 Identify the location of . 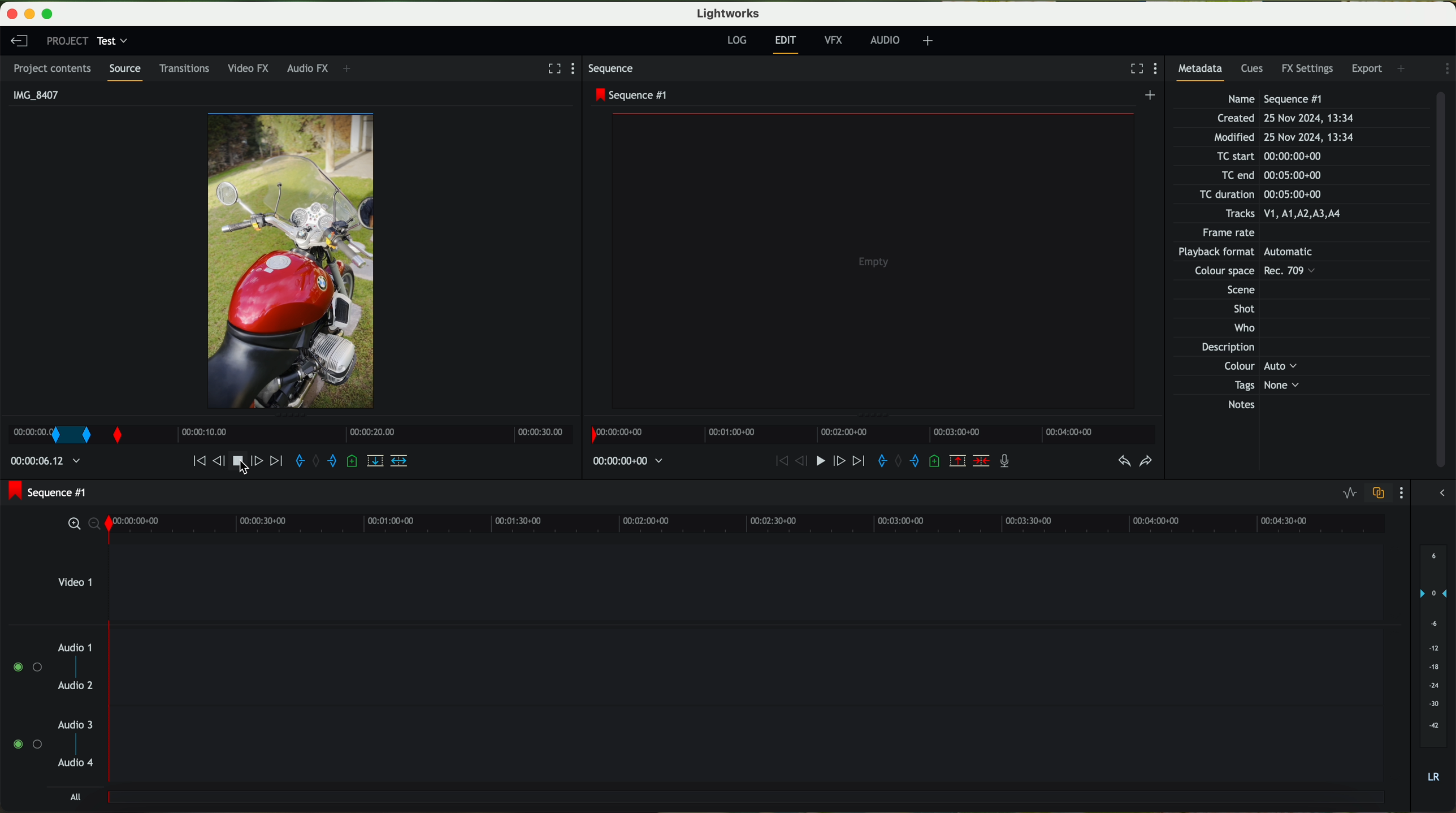
(1258, 366).